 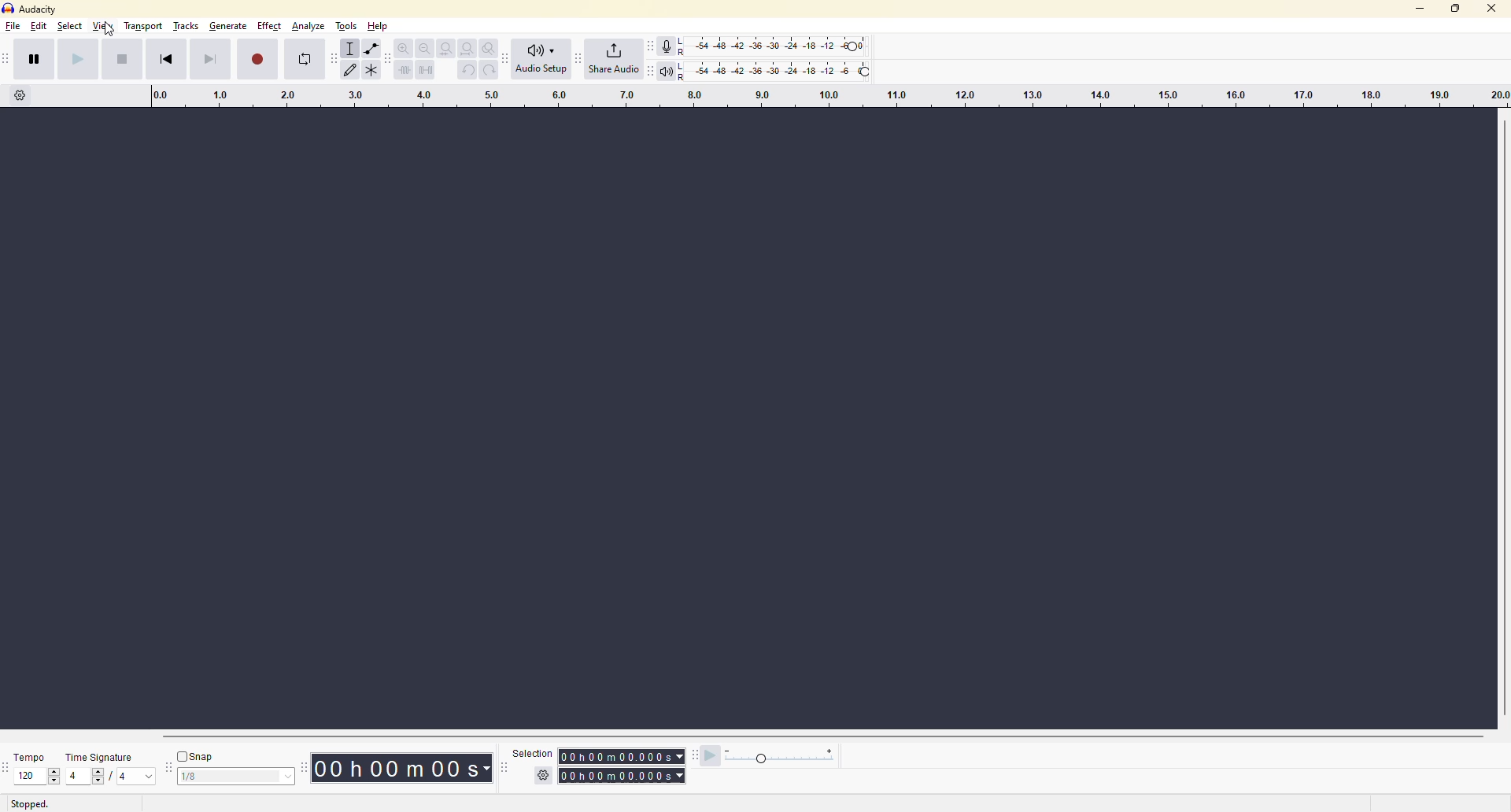 What do you see at coordinates (39, 61) in the screenshot?
I see `pause` at bounding box center [39, 61].